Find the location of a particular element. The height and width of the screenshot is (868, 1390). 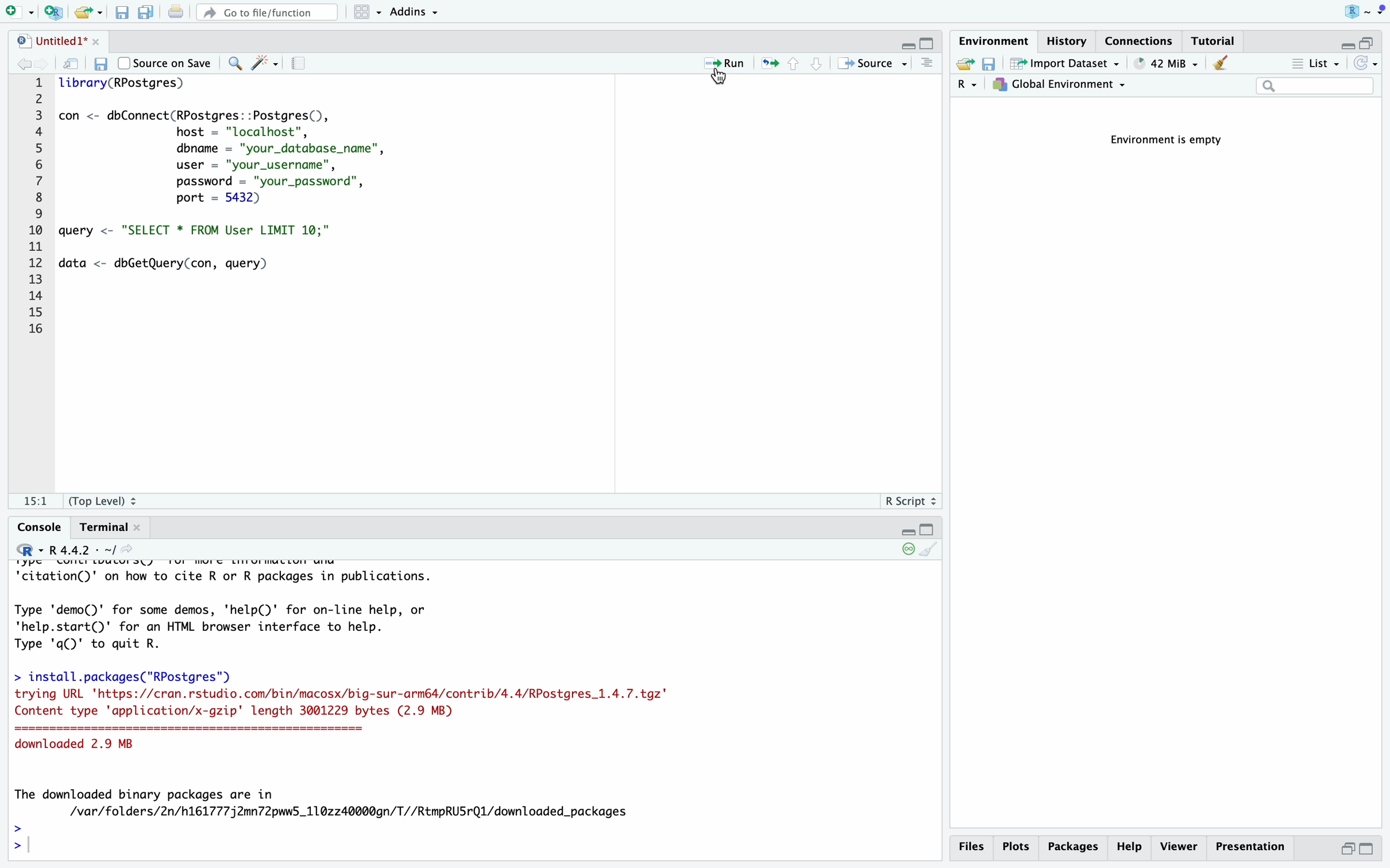

presentation is located at coordinates (1256, 850).